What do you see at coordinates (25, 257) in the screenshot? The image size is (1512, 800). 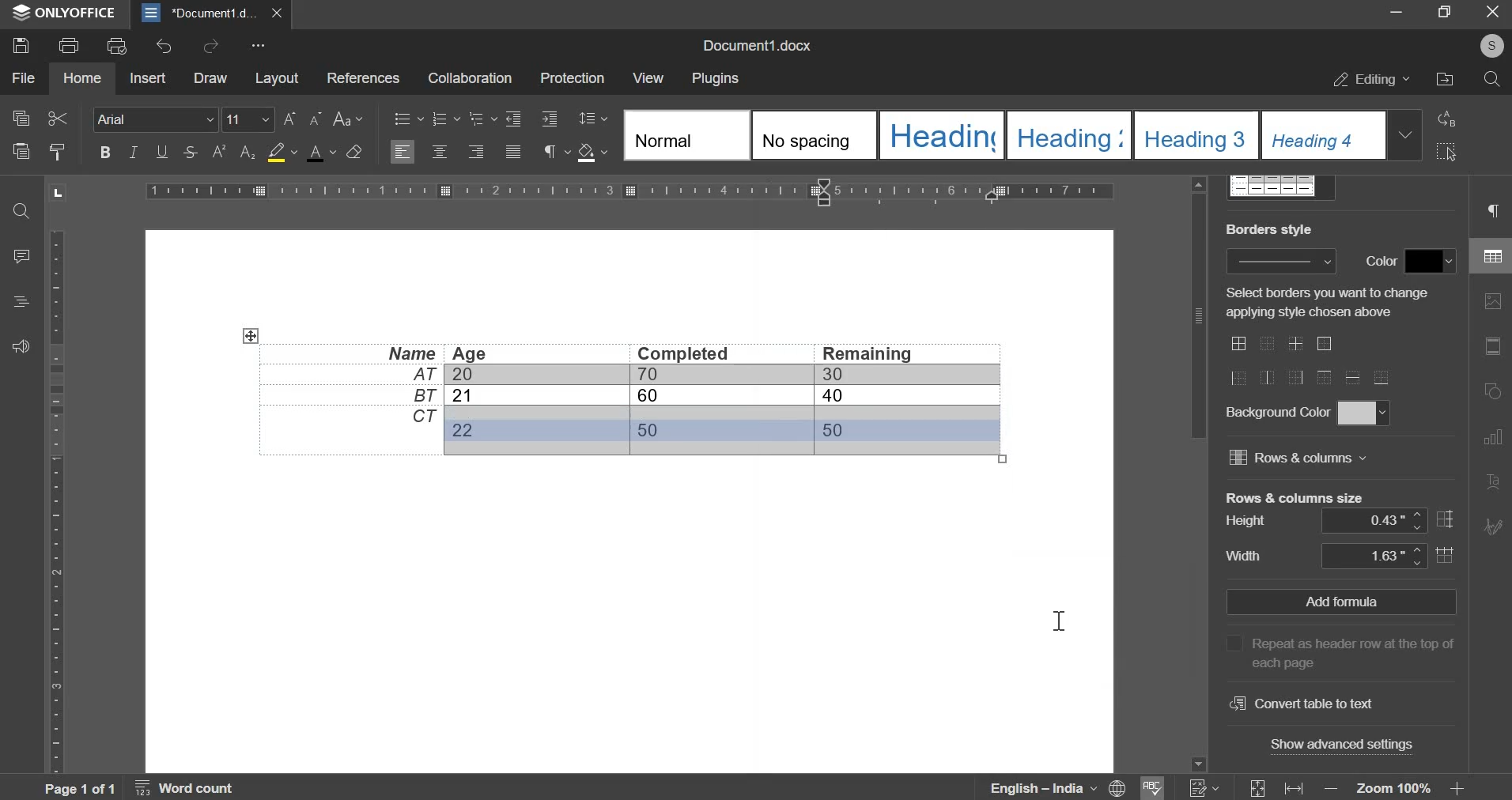 I see `comment` at bounding box center [25, 257].